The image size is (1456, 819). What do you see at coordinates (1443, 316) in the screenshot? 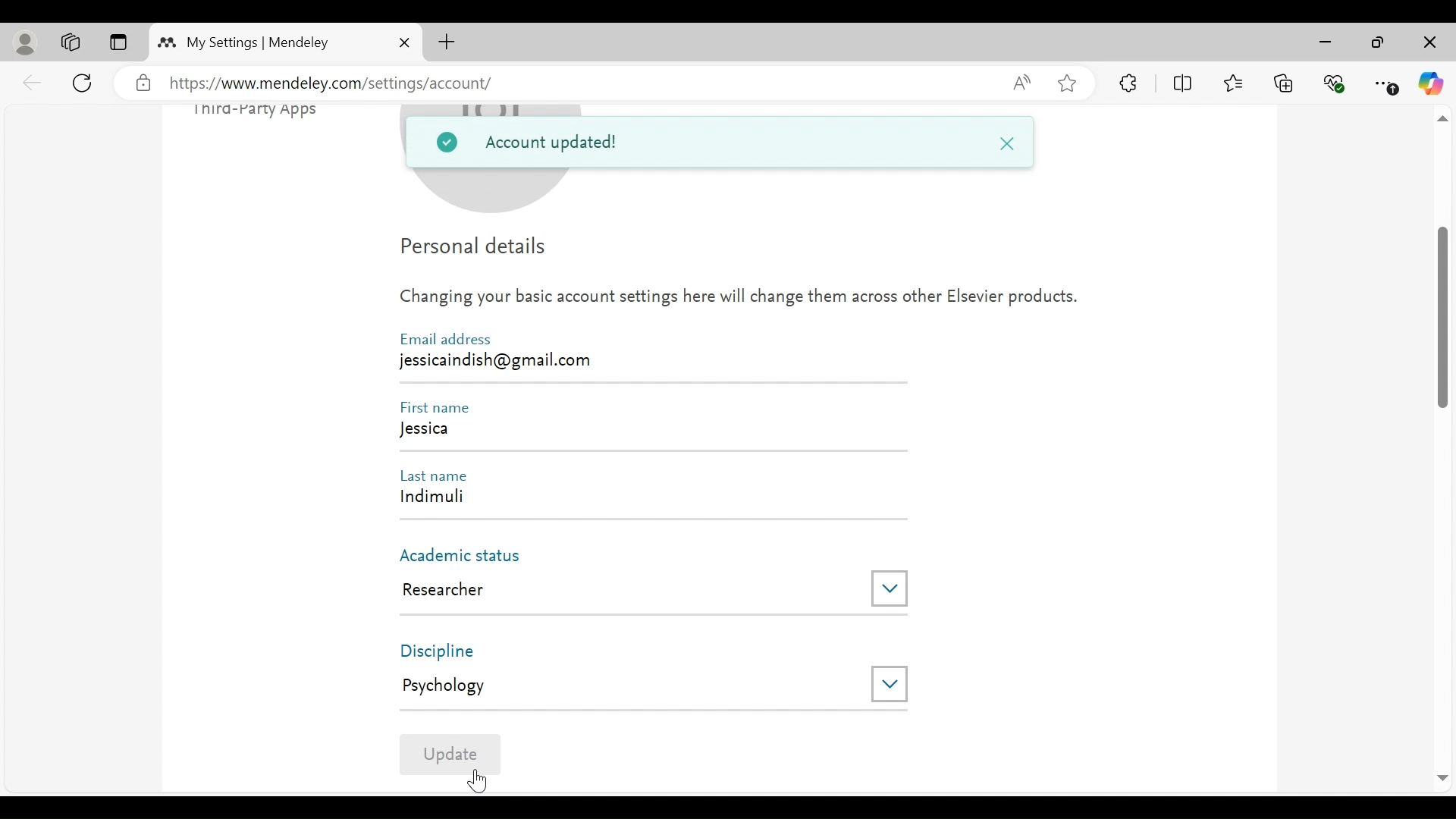
I see `Vertical Scroll bar` at bounding box center [1443, 316].